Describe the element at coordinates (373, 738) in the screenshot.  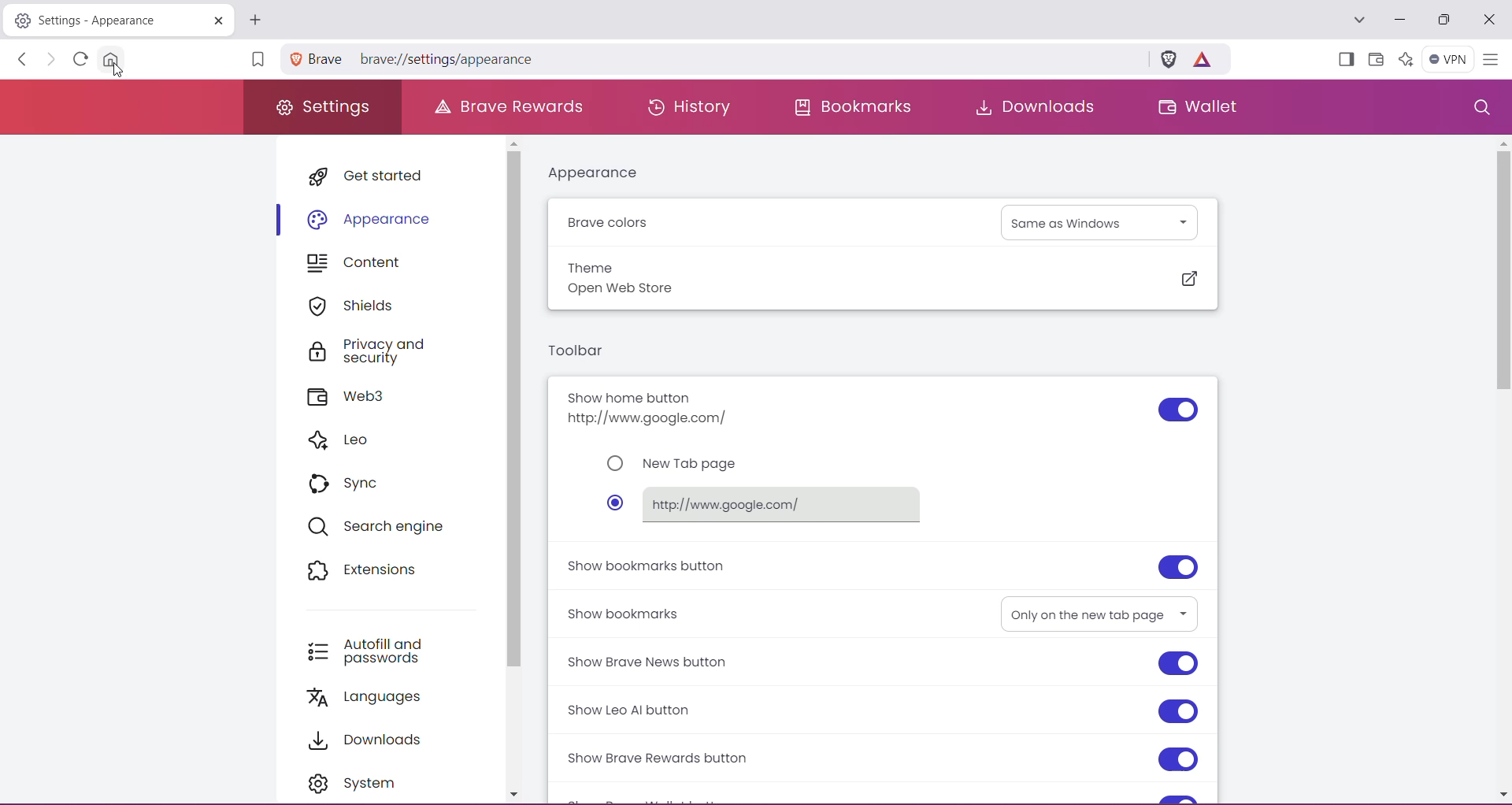
I see `Downloads` at that location.